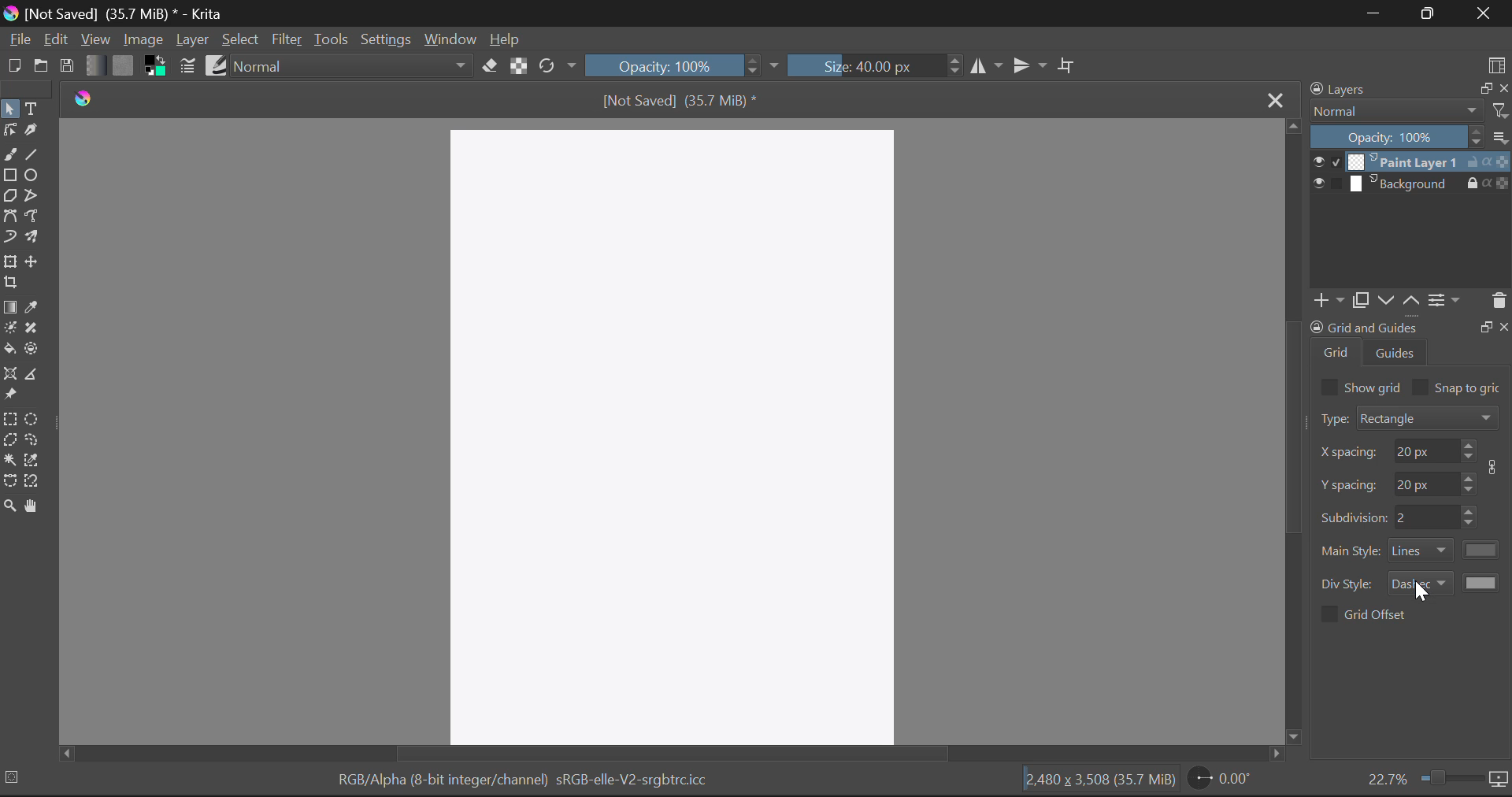  I want to click on layers, so click(1341, 89).